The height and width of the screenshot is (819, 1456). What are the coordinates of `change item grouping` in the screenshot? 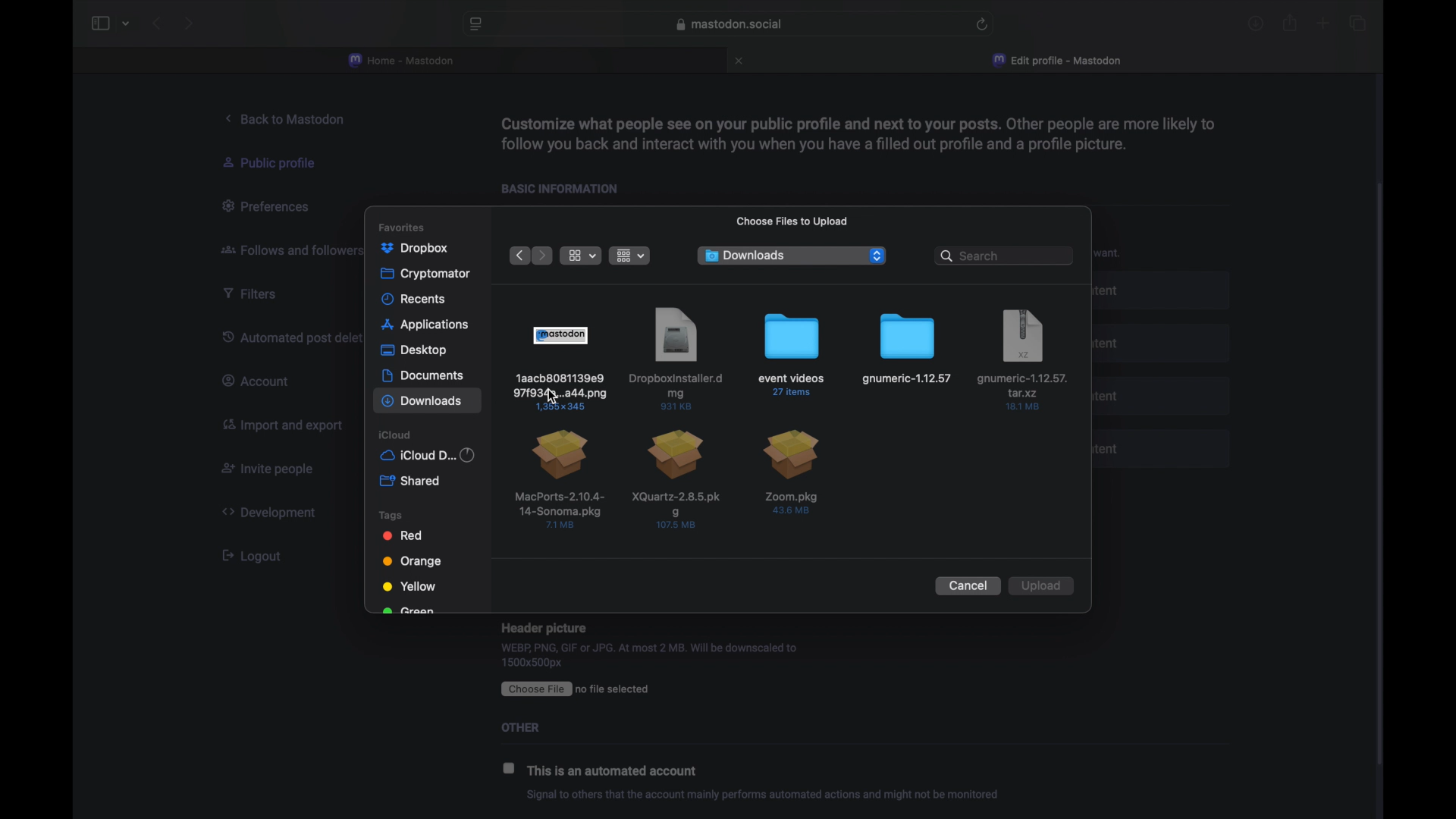 It's located at (631, 256).